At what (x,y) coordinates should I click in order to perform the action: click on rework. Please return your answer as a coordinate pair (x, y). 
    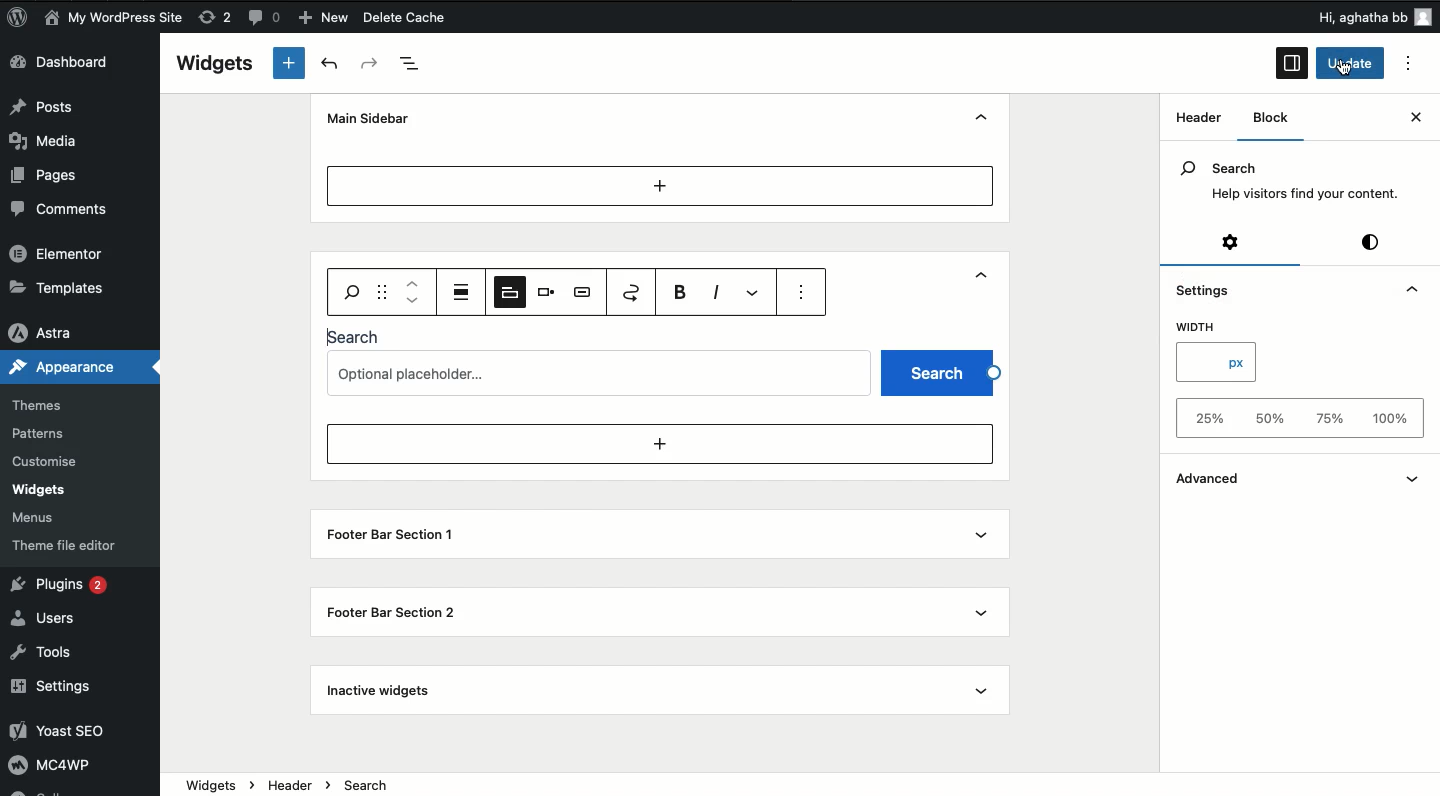
    Looking at the image, I should click on (218, 20).